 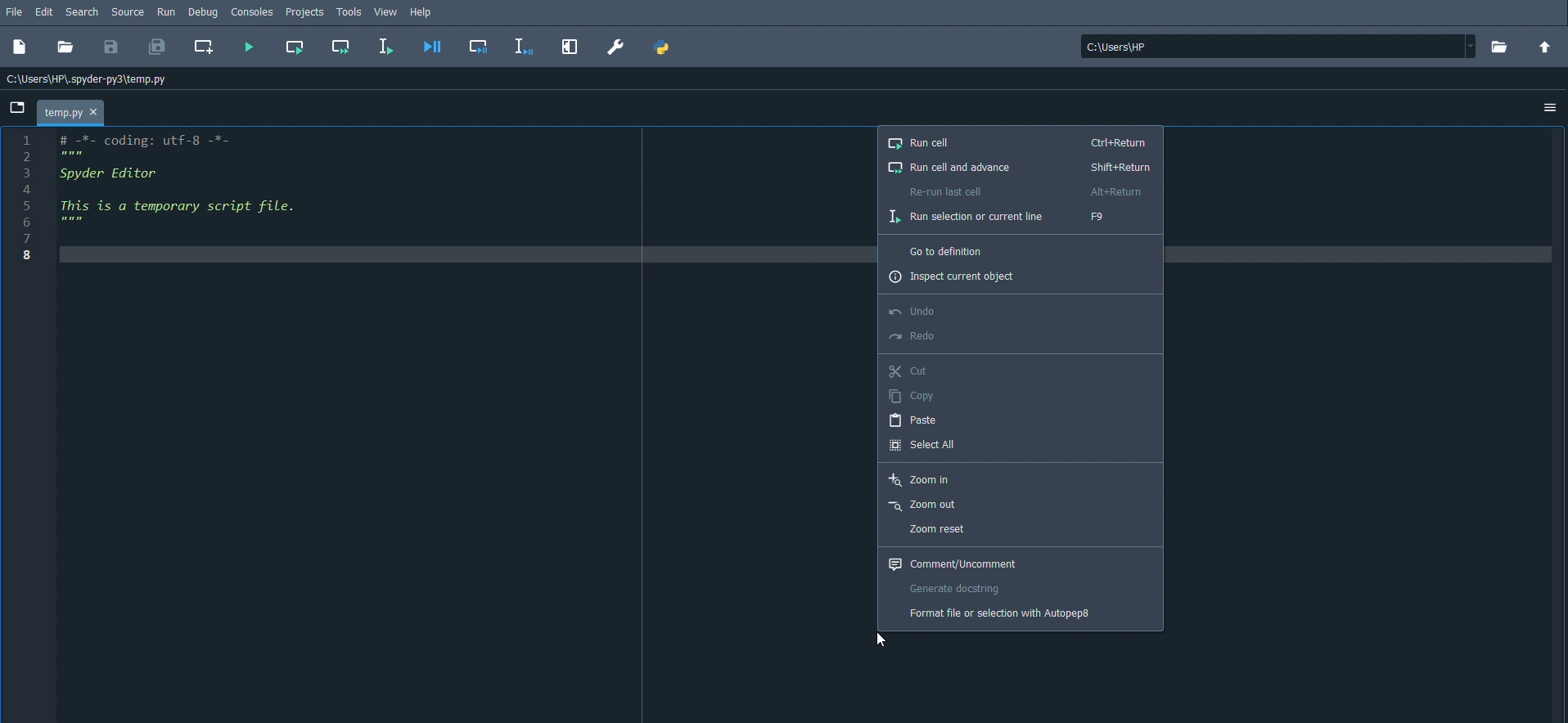 I want to click on Inspect current object, so click(x=957, y=276).